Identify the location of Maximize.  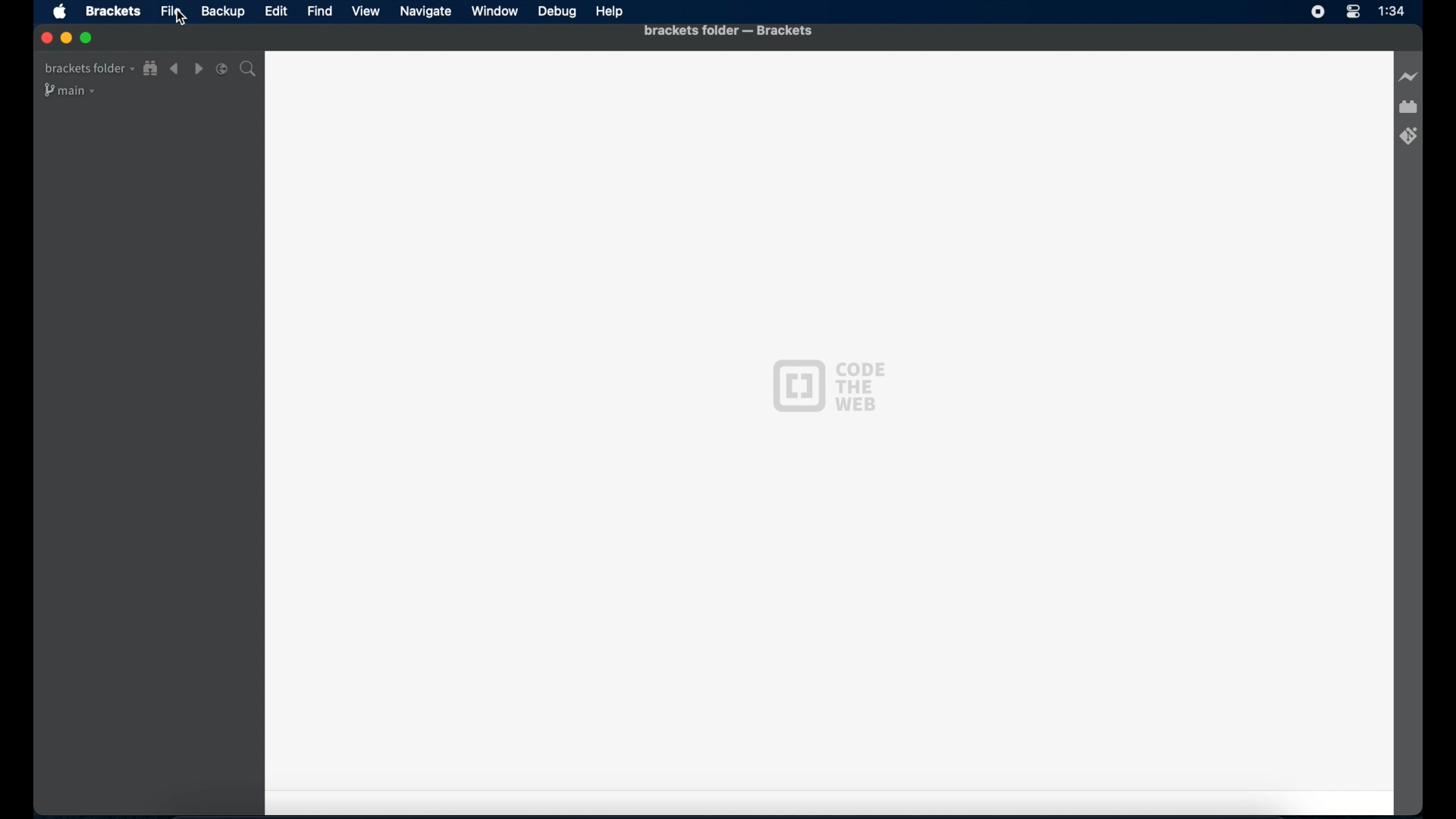
(87, 38).